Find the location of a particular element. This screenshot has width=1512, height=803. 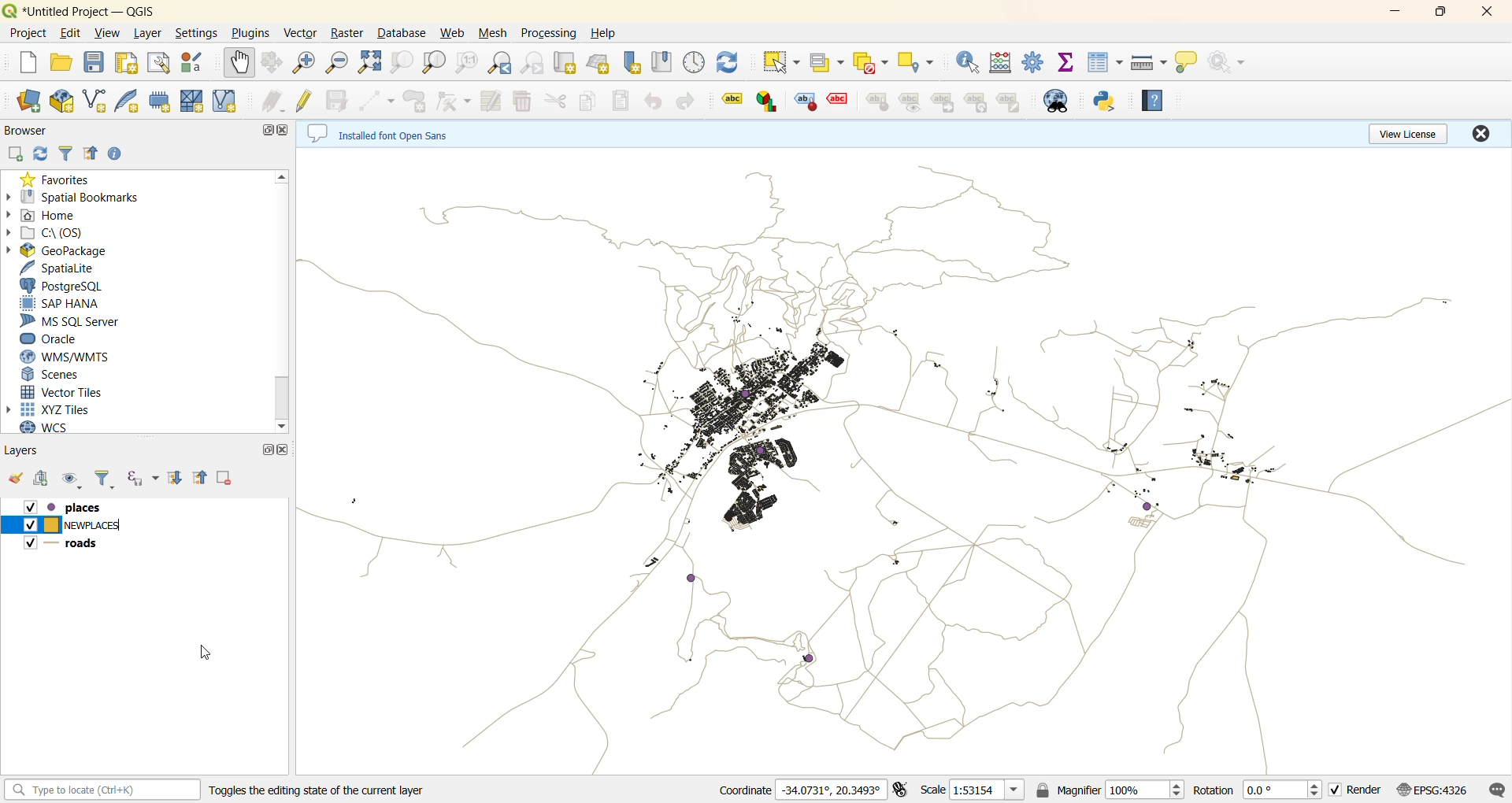

status bar is located at coordinates (102, 790).